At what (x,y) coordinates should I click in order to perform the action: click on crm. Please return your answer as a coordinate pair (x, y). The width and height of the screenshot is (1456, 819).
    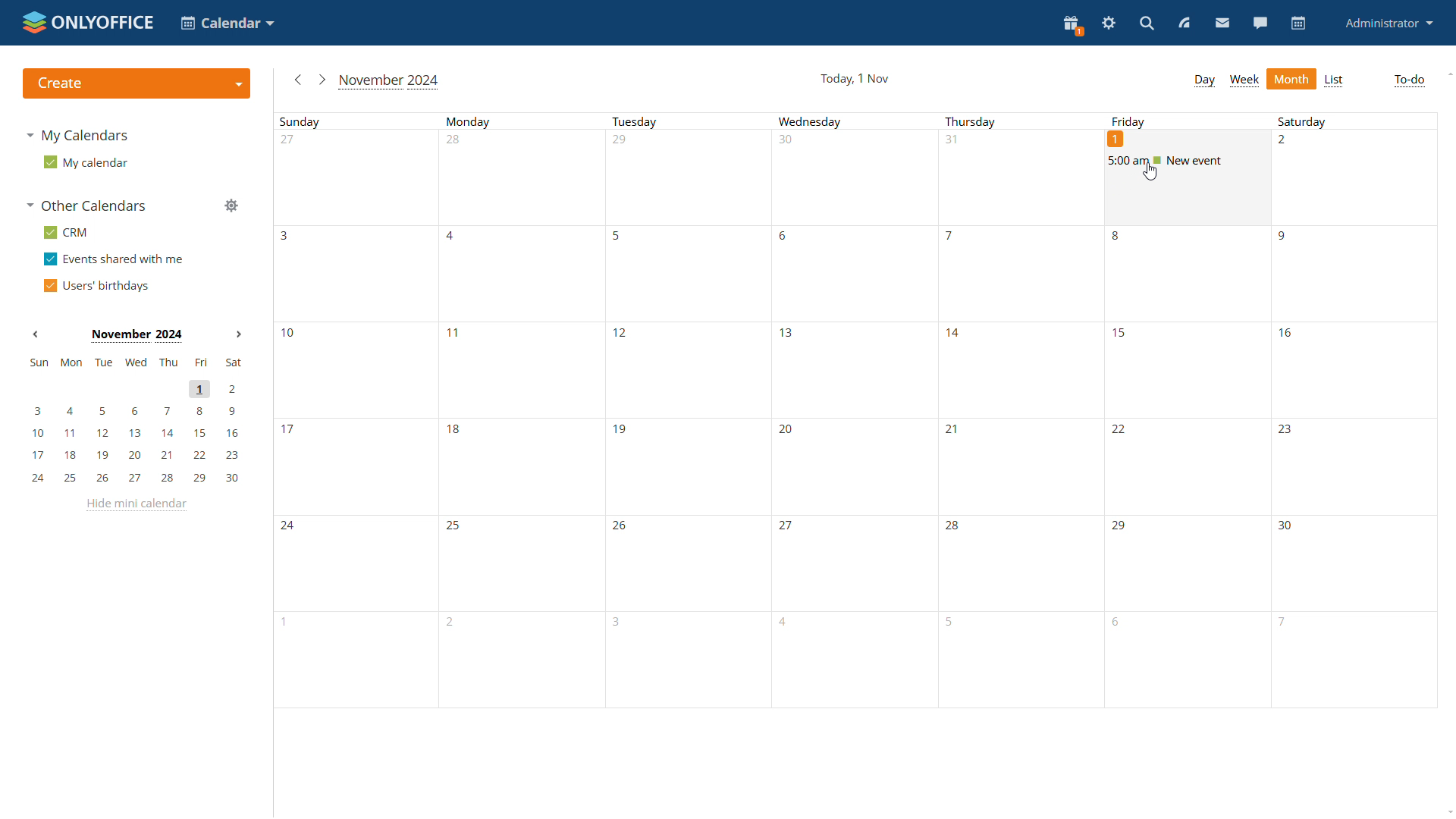
    Looking at the image, I should click on (70, 234).